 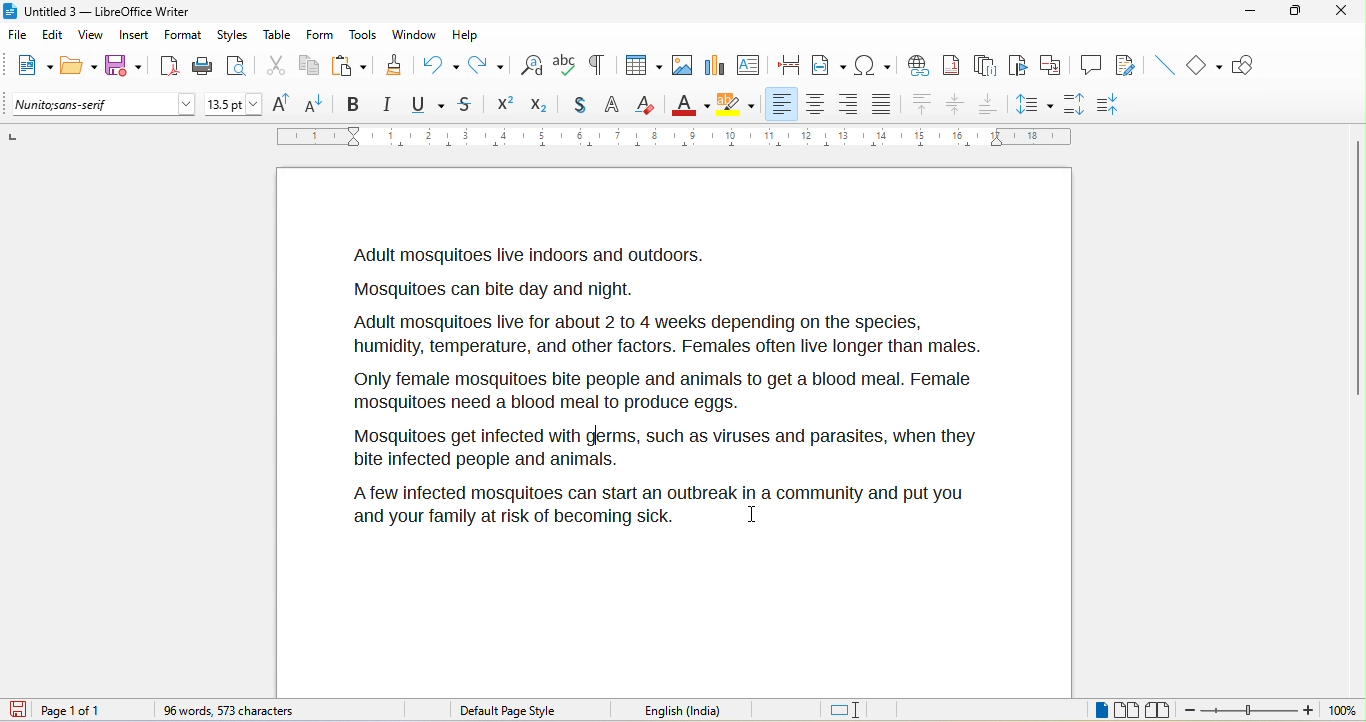 I want to click on text box, so click(x=748, y=64).